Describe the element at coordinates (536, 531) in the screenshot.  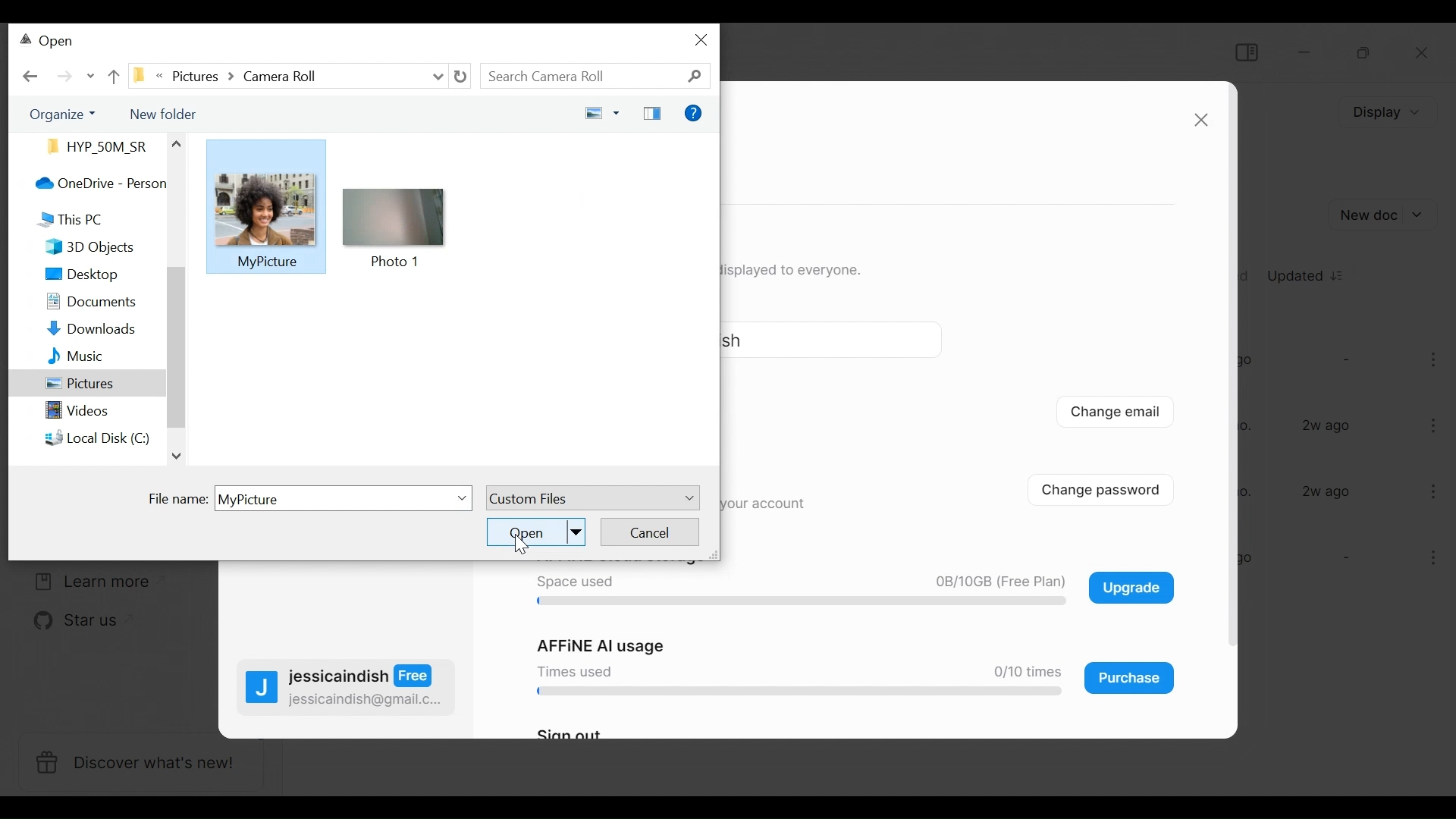
I see `Open` at that location.